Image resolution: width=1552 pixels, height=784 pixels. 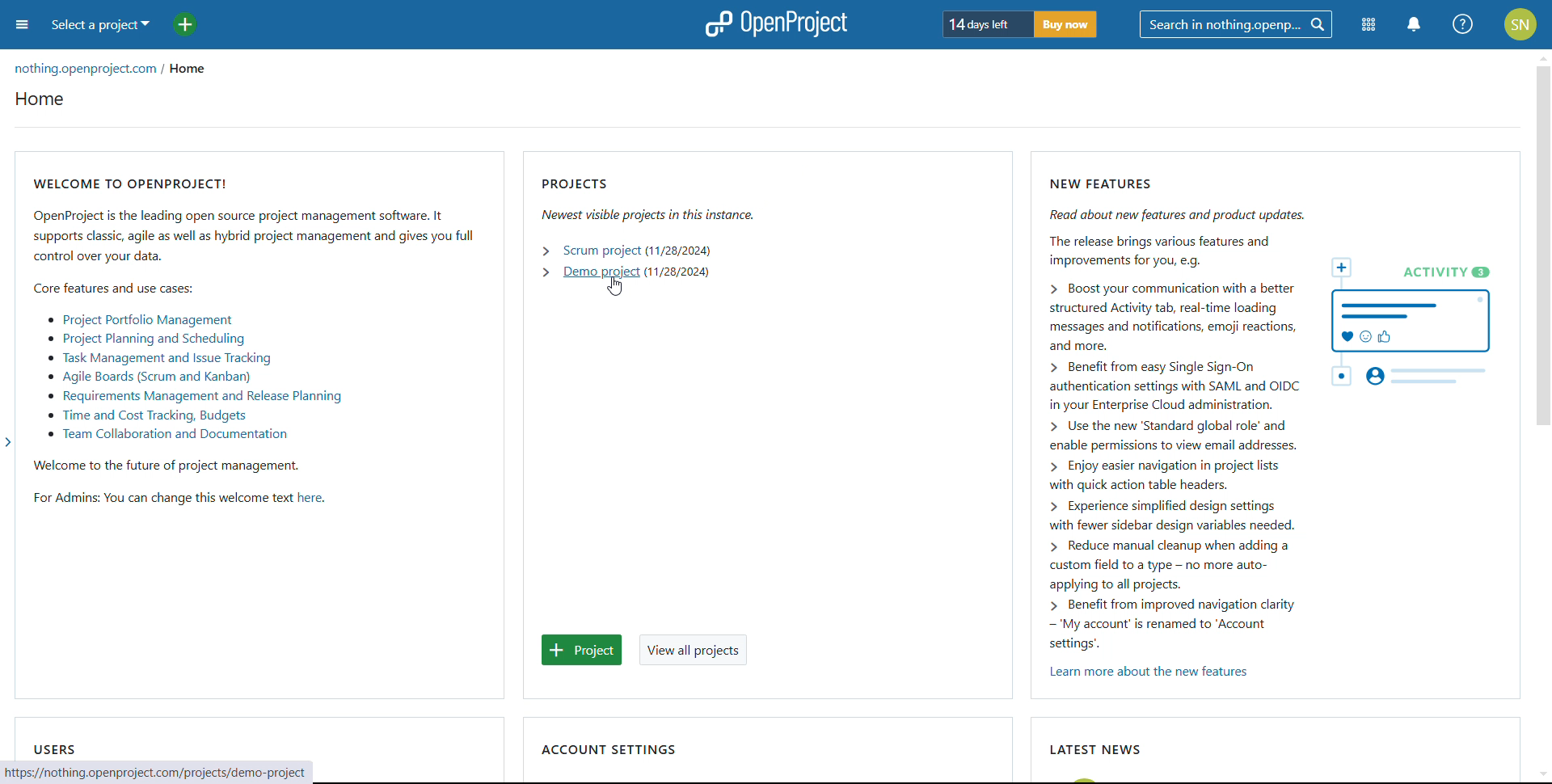 I want to click on home, so click(x=40, y=99).